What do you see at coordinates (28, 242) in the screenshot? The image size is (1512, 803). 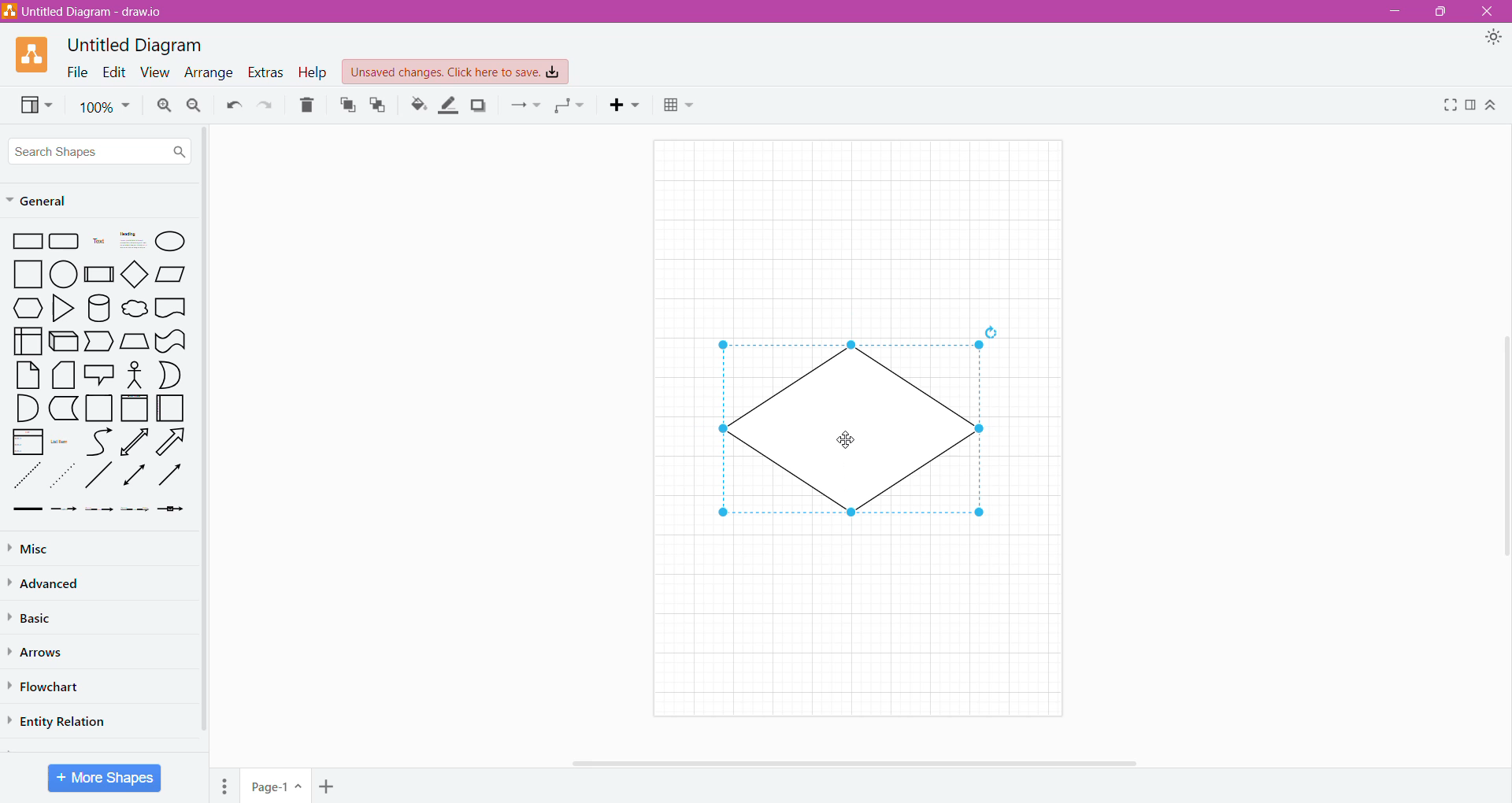 I see `Rectangle` at bounding box center [28, 242].